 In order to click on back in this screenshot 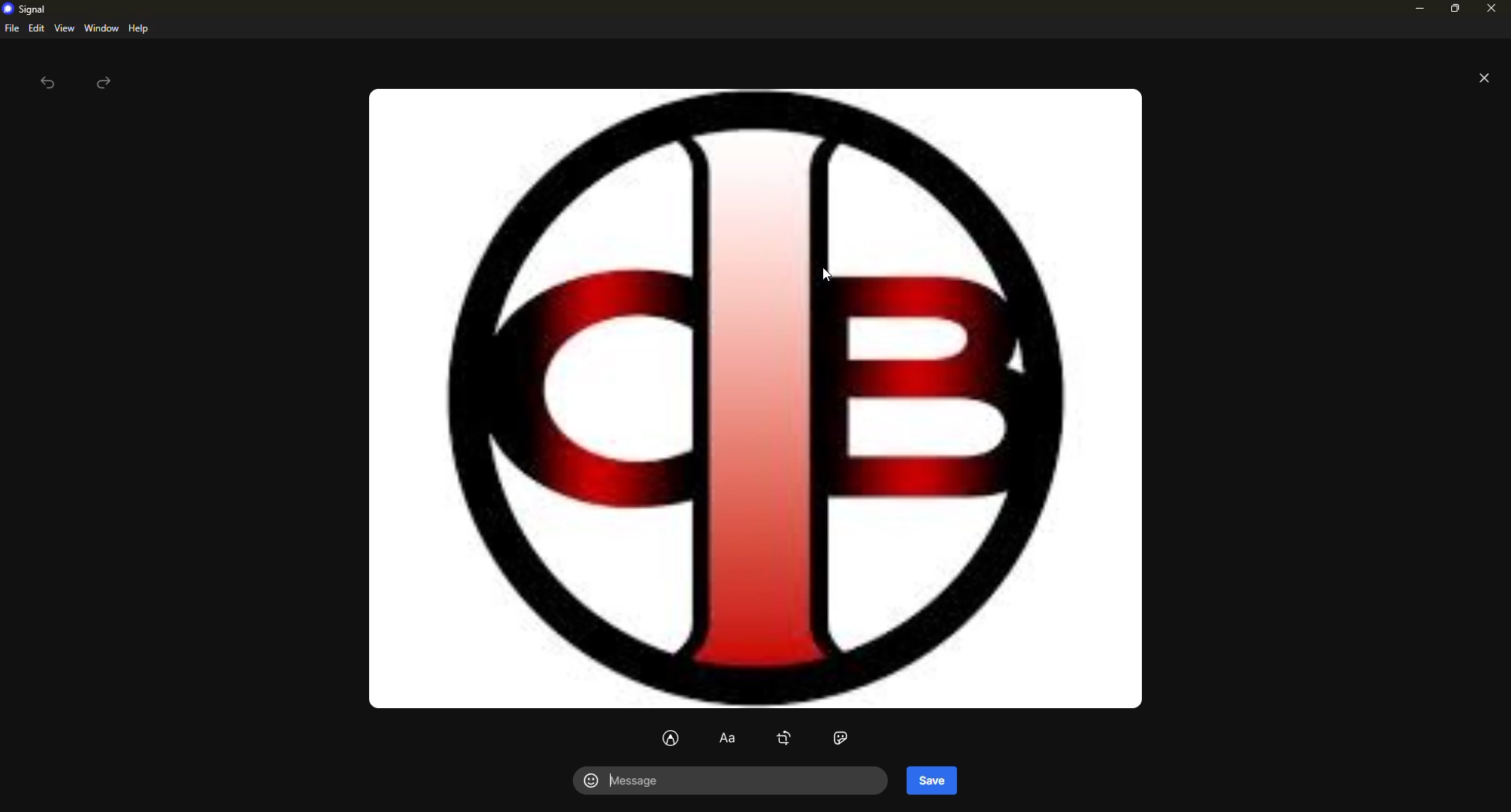, I will do `click(47, 85)`.